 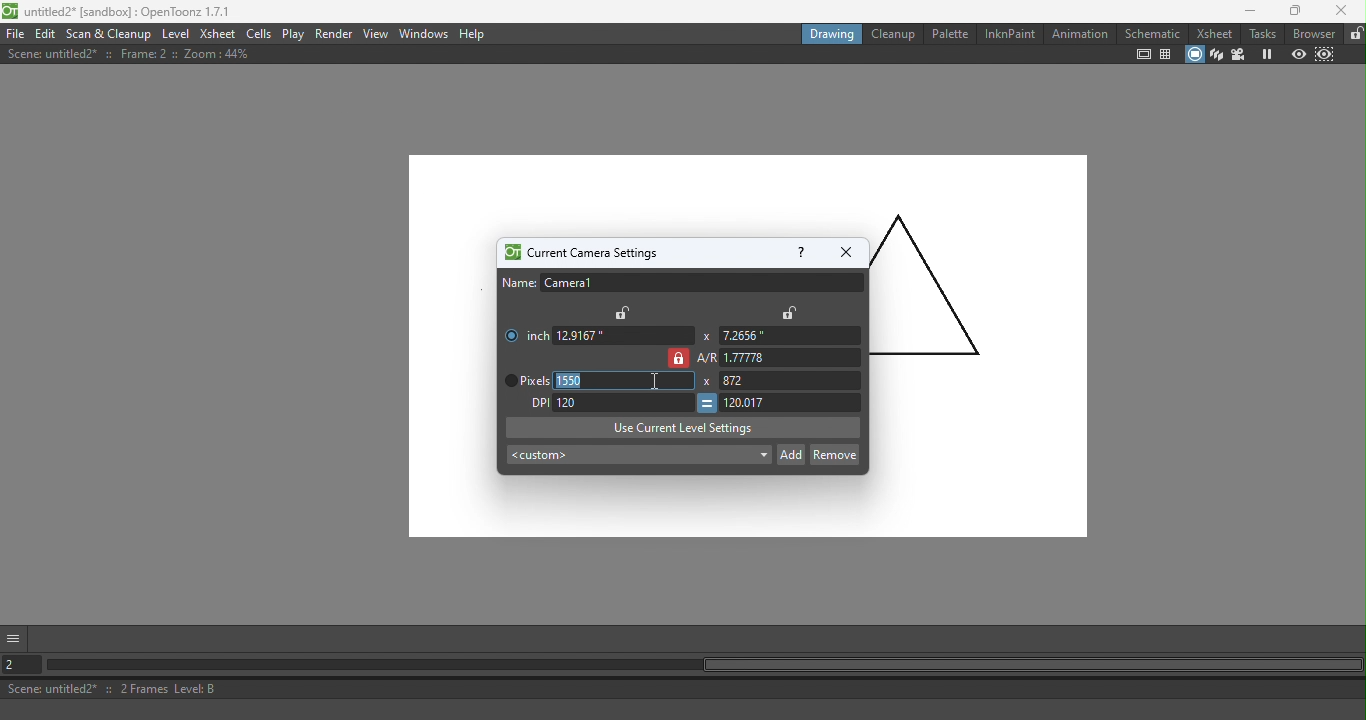 I want to click on Palette, so click(x=948, y=34).